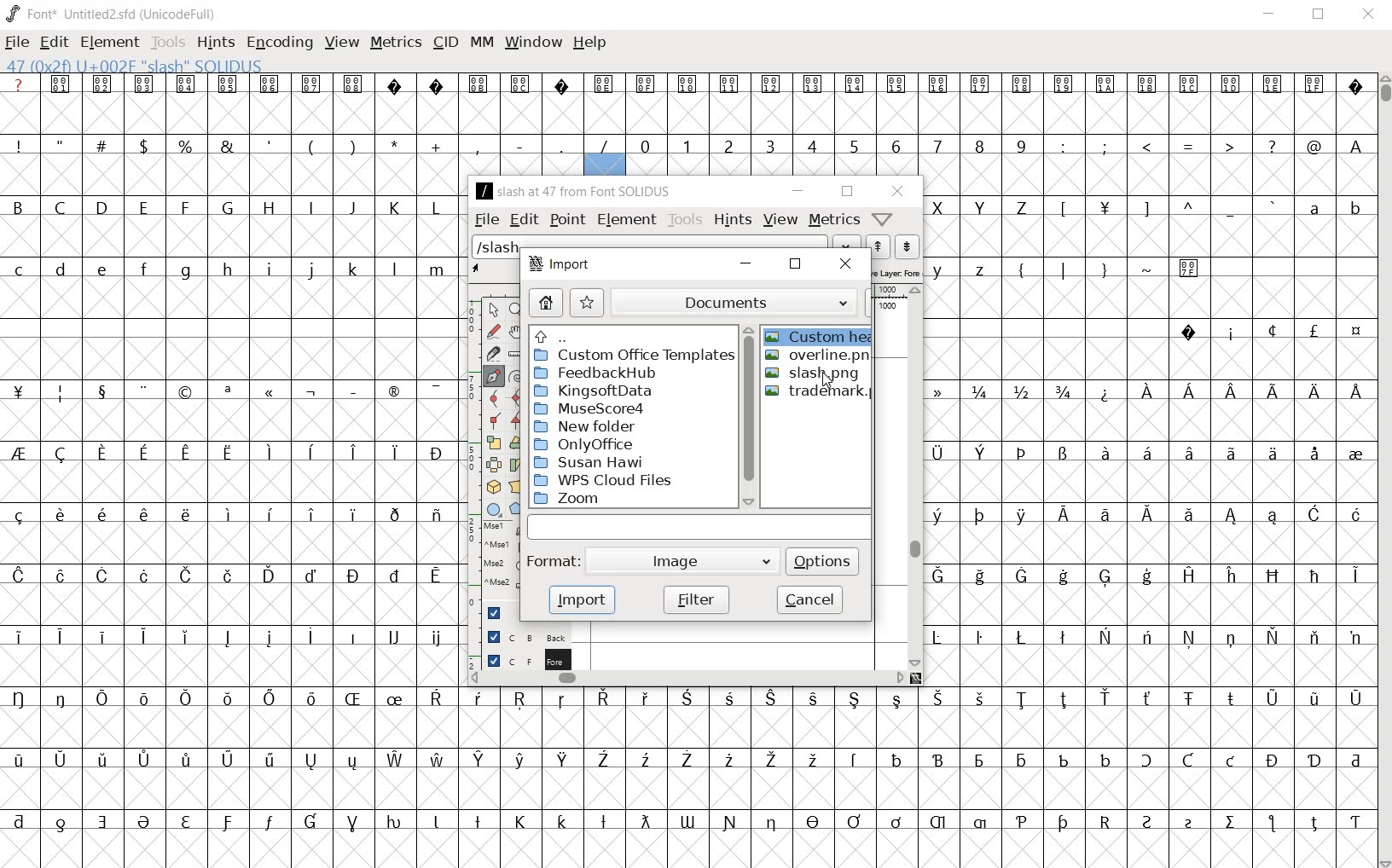 Image resolution: width=1392 pixels, height=868 pixels. What do you see at coordinates (524, 219) in the screenshot?
I see `edit` at bounding box center [524, 219].